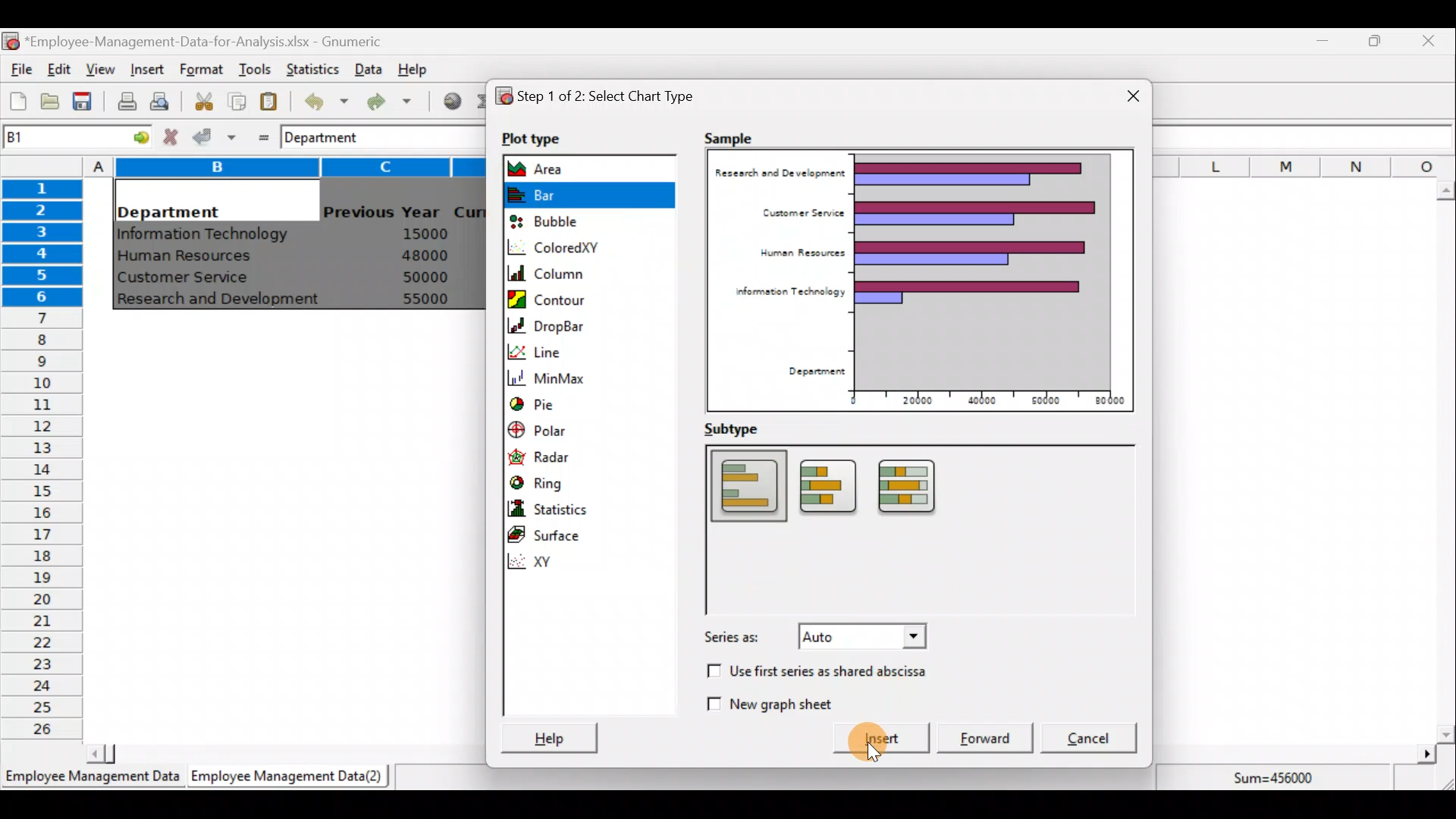  I want to click on File, so click(19, 70).